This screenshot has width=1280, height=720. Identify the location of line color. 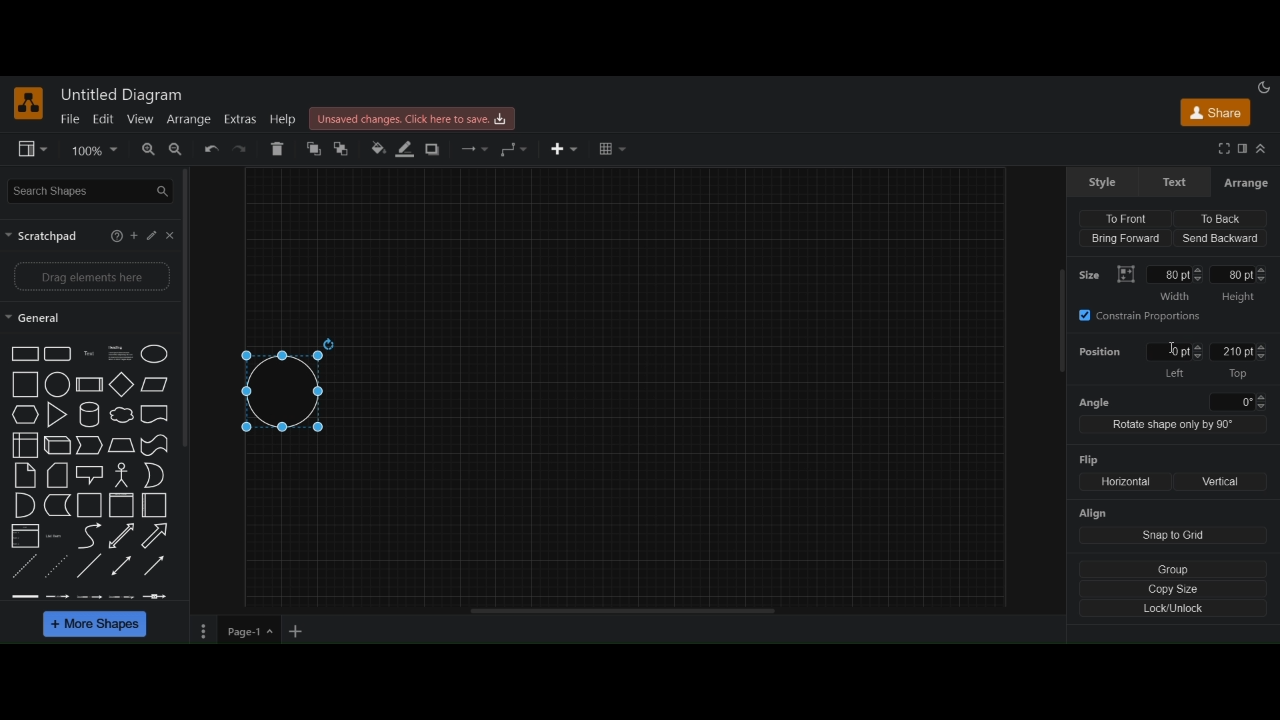
(405, 151).